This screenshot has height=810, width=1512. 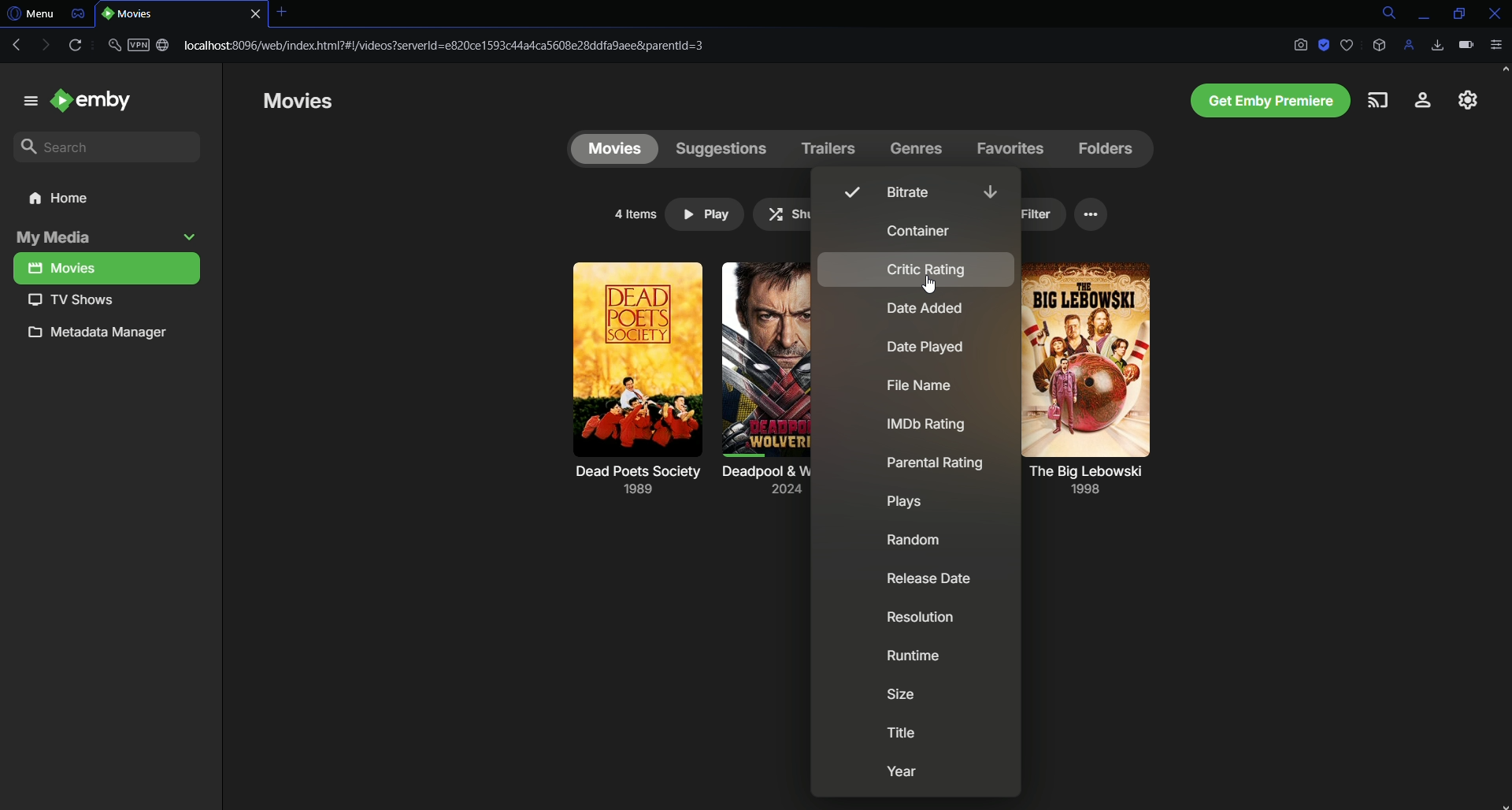 What do you see at coordinates (990, 191) in the screenshot?
I see `Sort` at bounding box center [990, 191].